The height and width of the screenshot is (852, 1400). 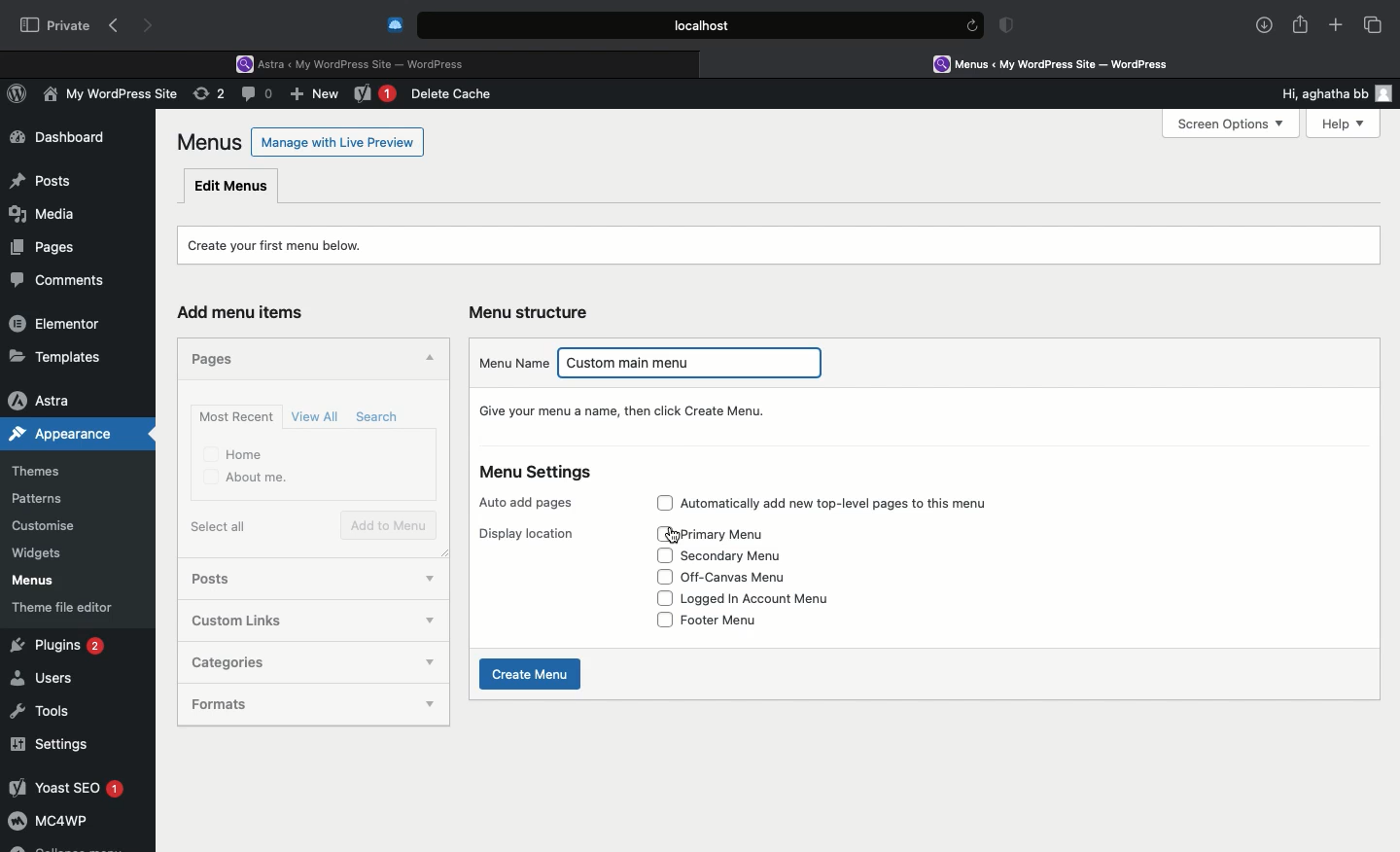 I want to click on My WordPress Site, so click(x=107, y=97).